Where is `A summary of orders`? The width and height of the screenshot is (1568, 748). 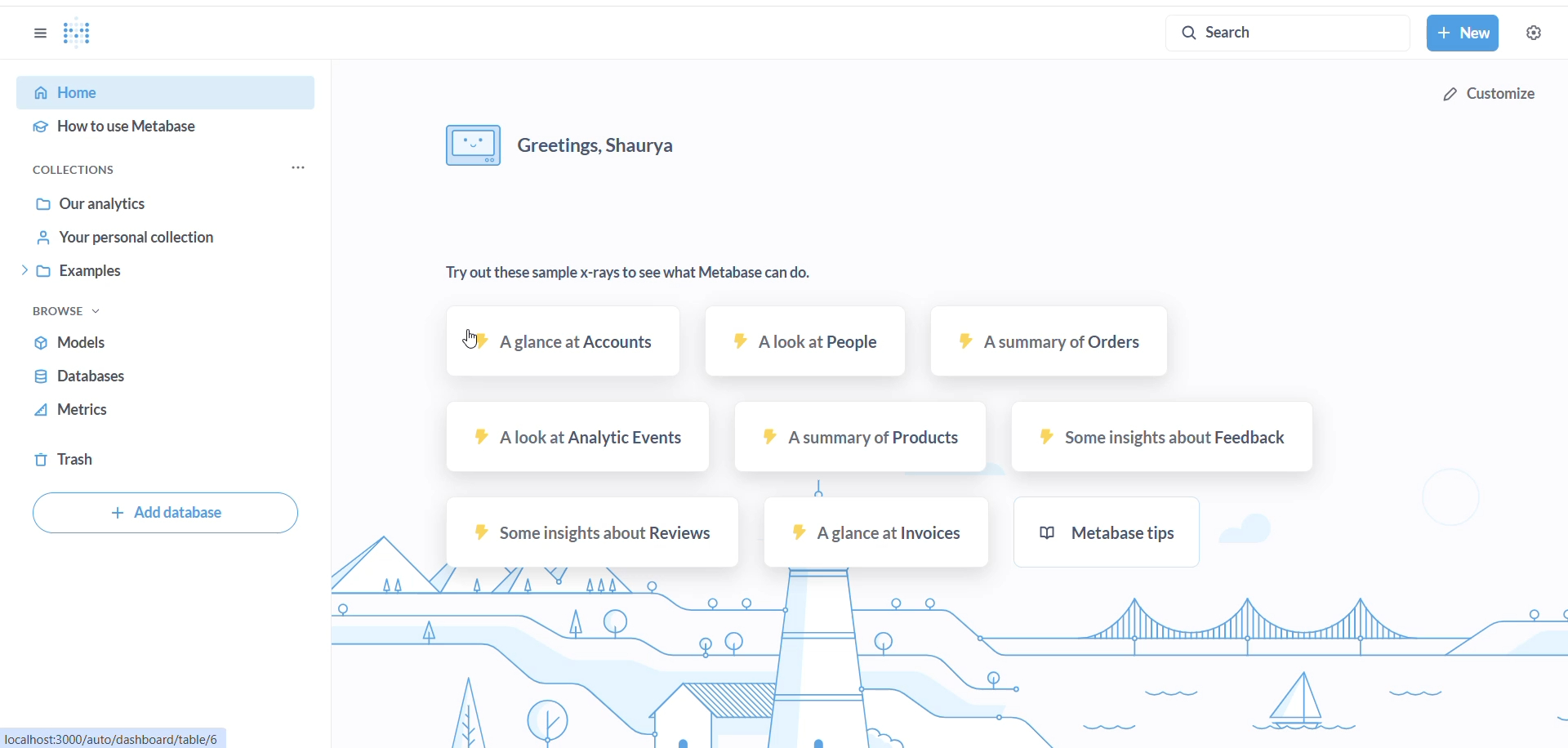
A summary of orders is located at coordinates (1050, 342).